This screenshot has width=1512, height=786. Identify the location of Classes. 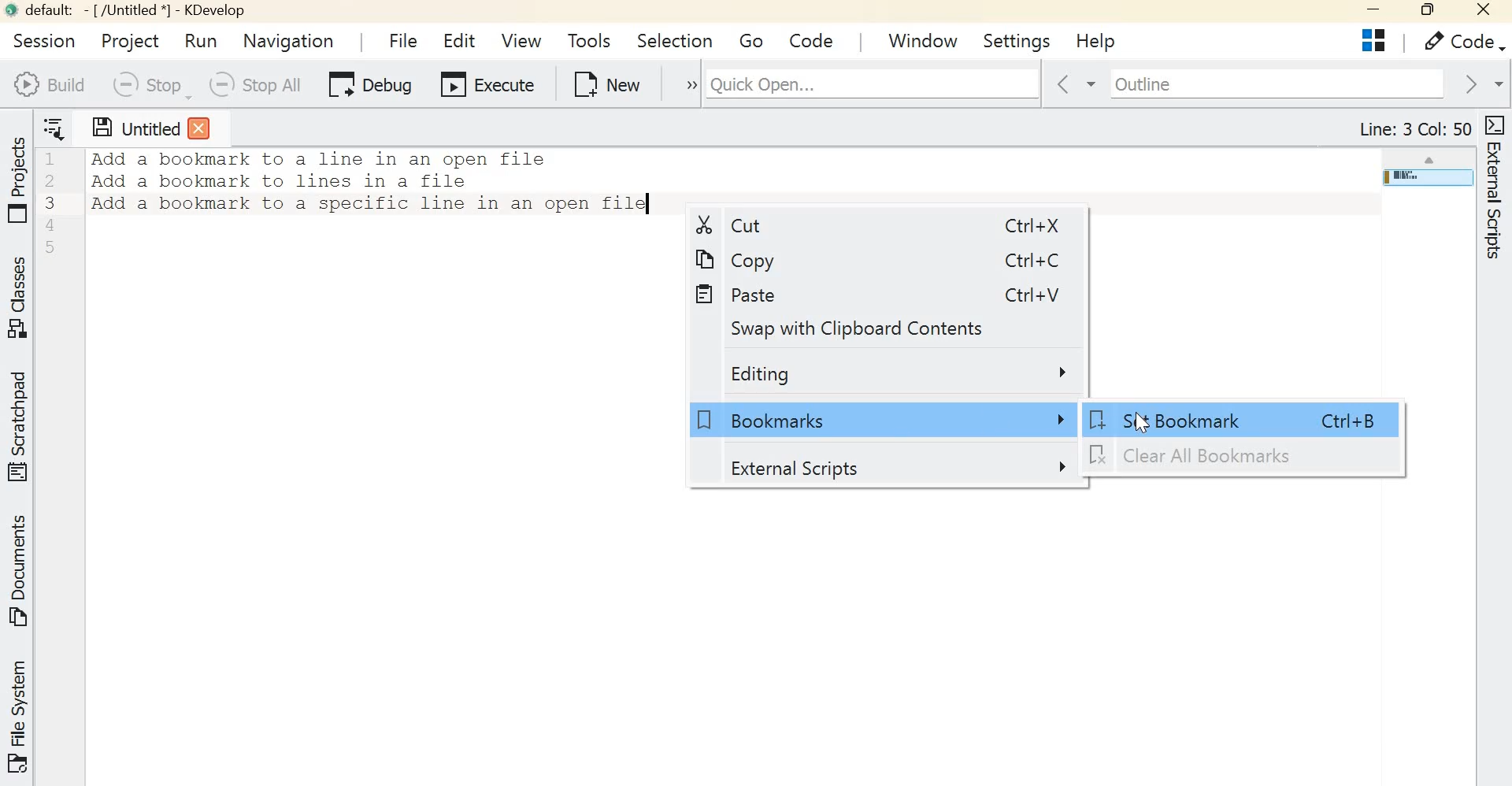
(20, 299).